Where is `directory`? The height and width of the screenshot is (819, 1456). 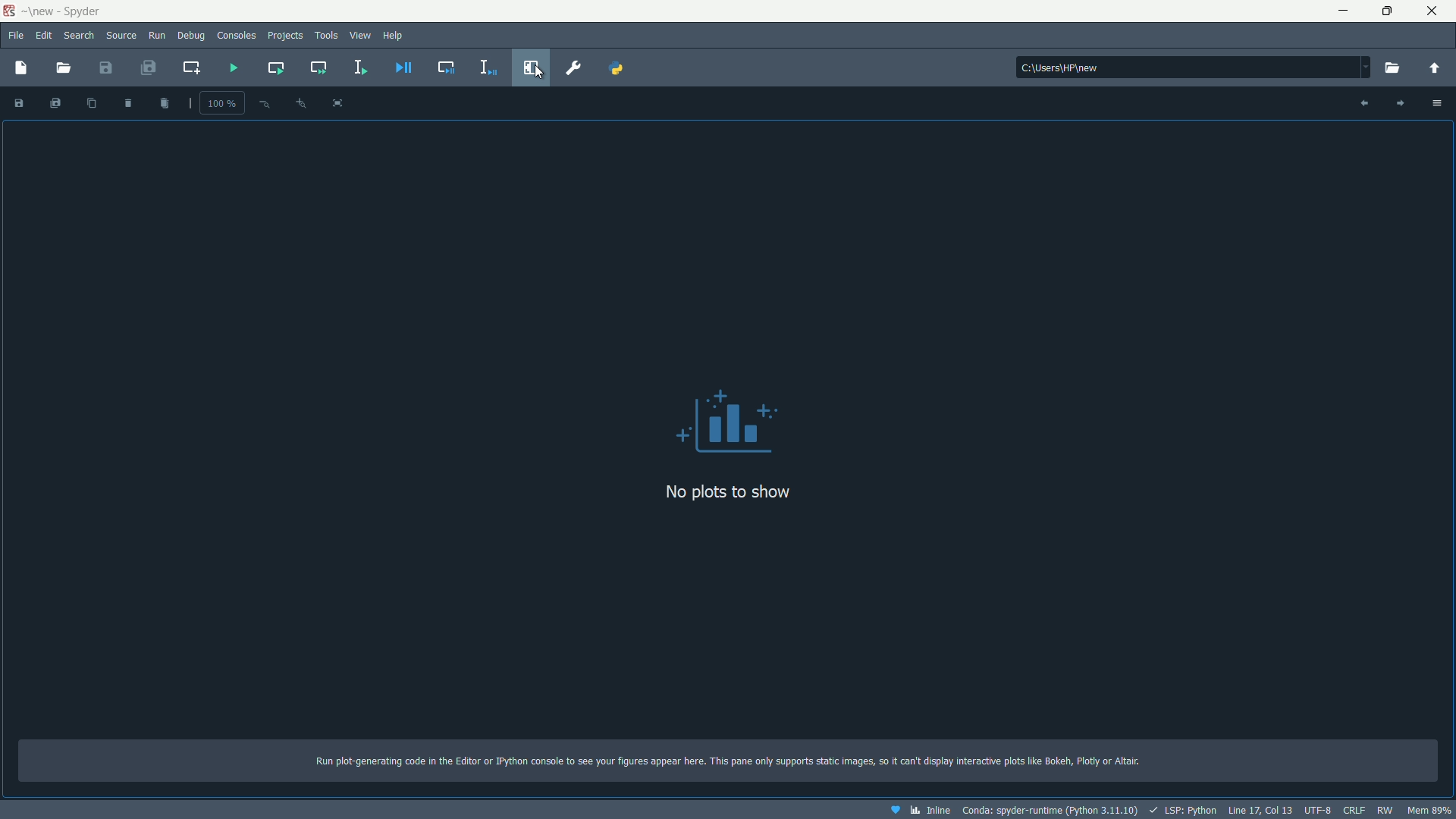
directory is located at coordinates (1194, 68).